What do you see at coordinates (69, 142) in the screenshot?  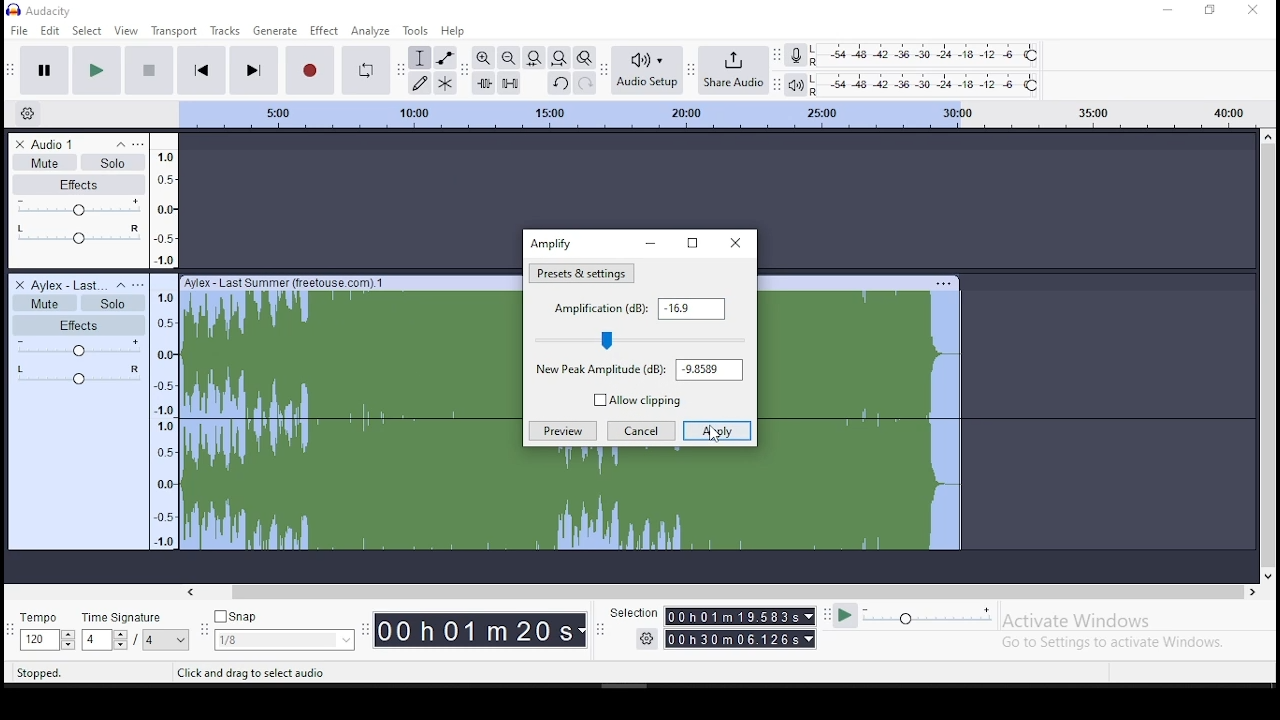 I see `audio track name` at bounding box center [69, 142].